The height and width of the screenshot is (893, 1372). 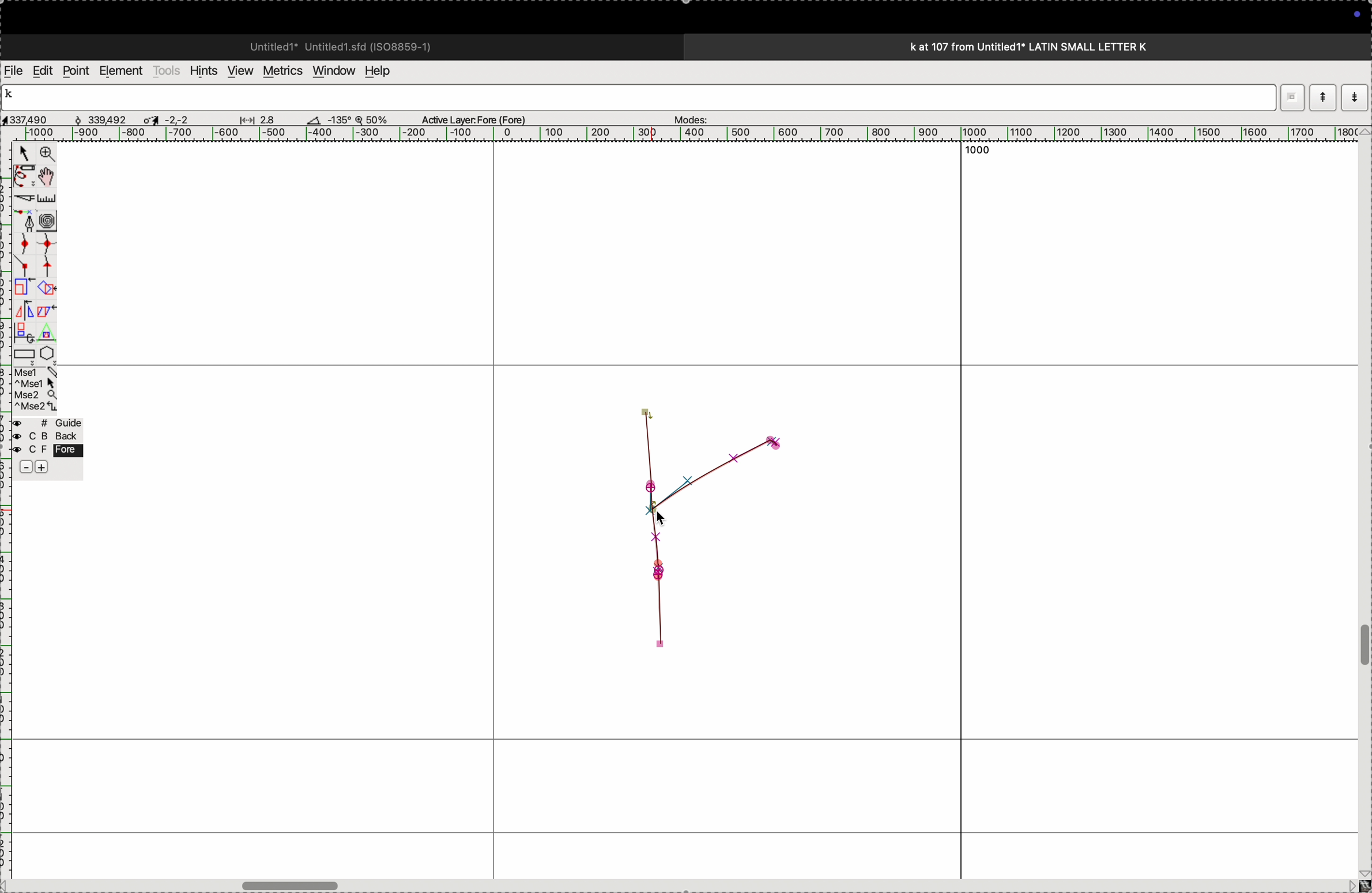 What do you see at coordinates (36, 390) in the screenshot?
I see `mse` at bounding box center [36, 390].